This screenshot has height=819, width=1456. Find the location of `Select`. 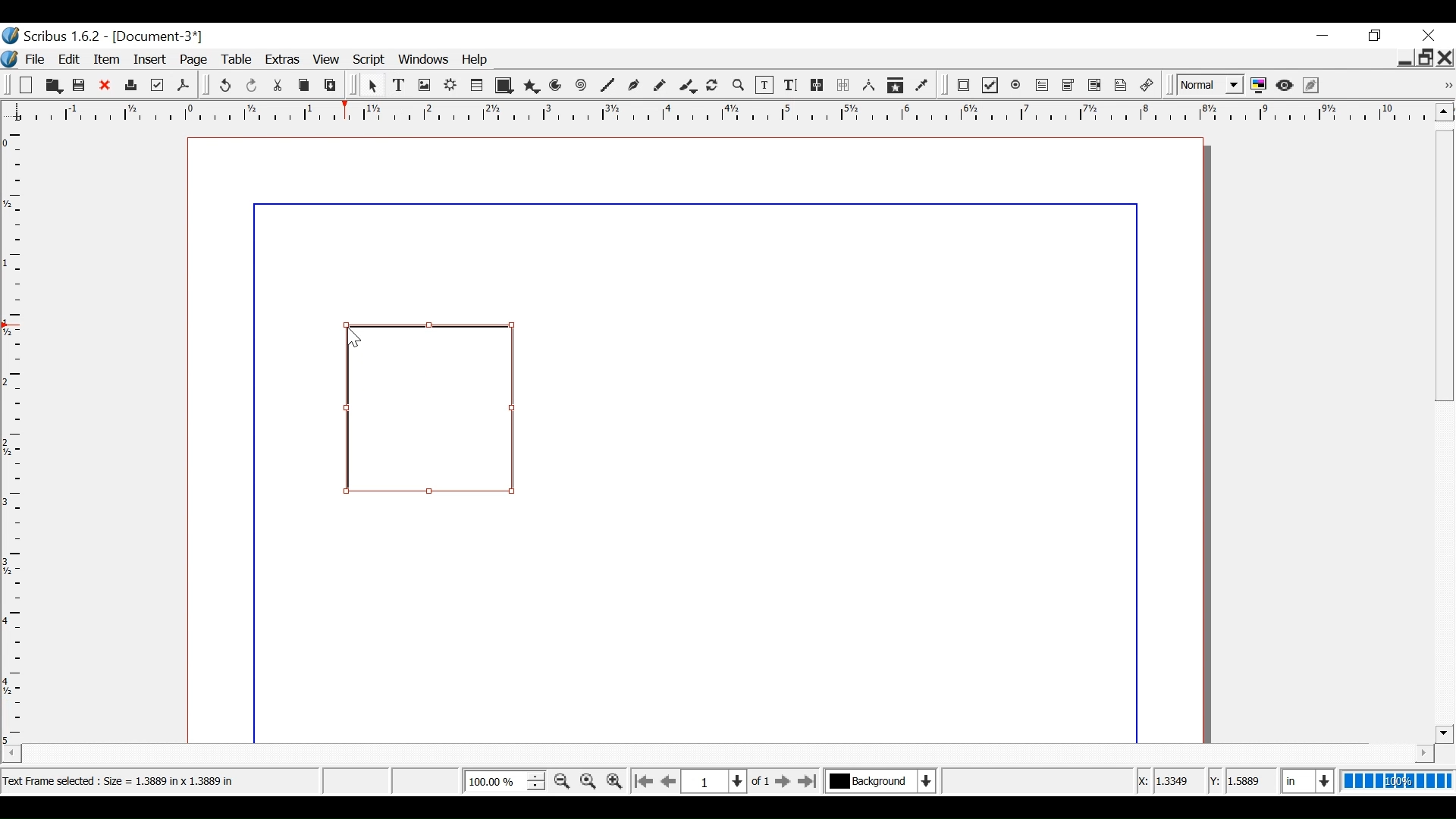

Select is located at coordinates (372, 86).